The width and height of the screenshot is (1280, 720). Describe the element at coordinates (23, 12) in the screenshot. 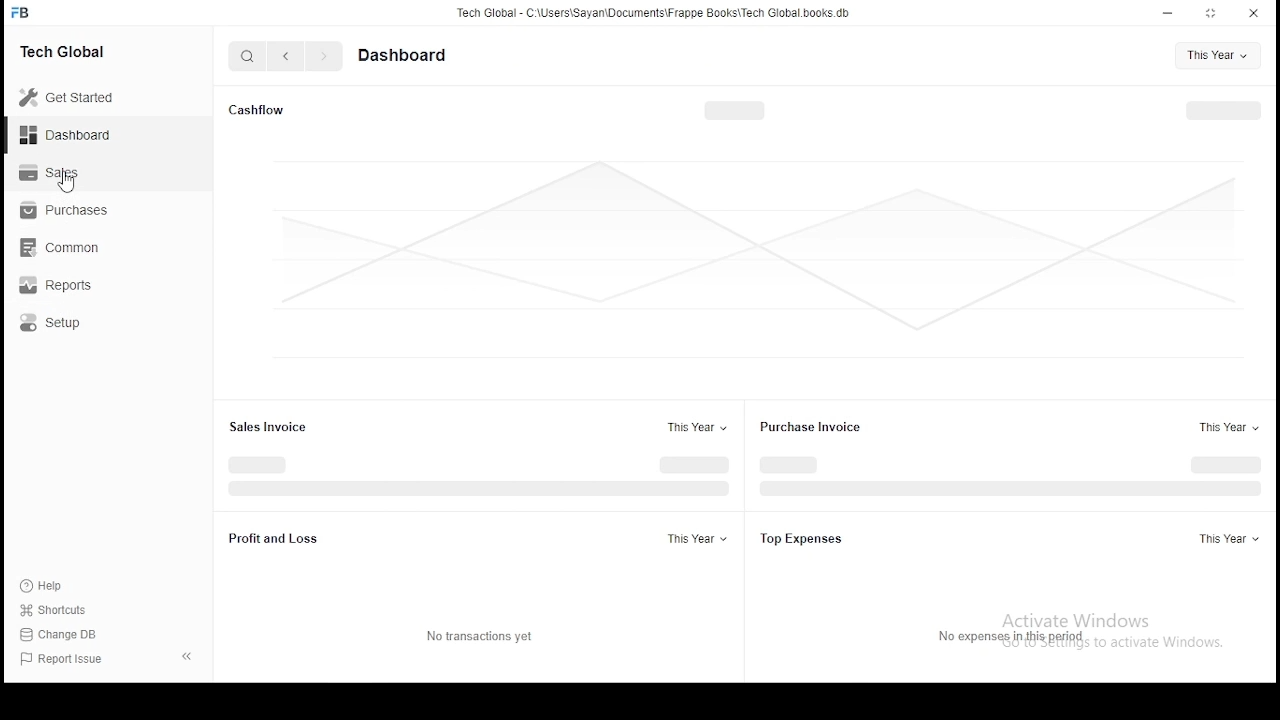

I see `icon` at that location.